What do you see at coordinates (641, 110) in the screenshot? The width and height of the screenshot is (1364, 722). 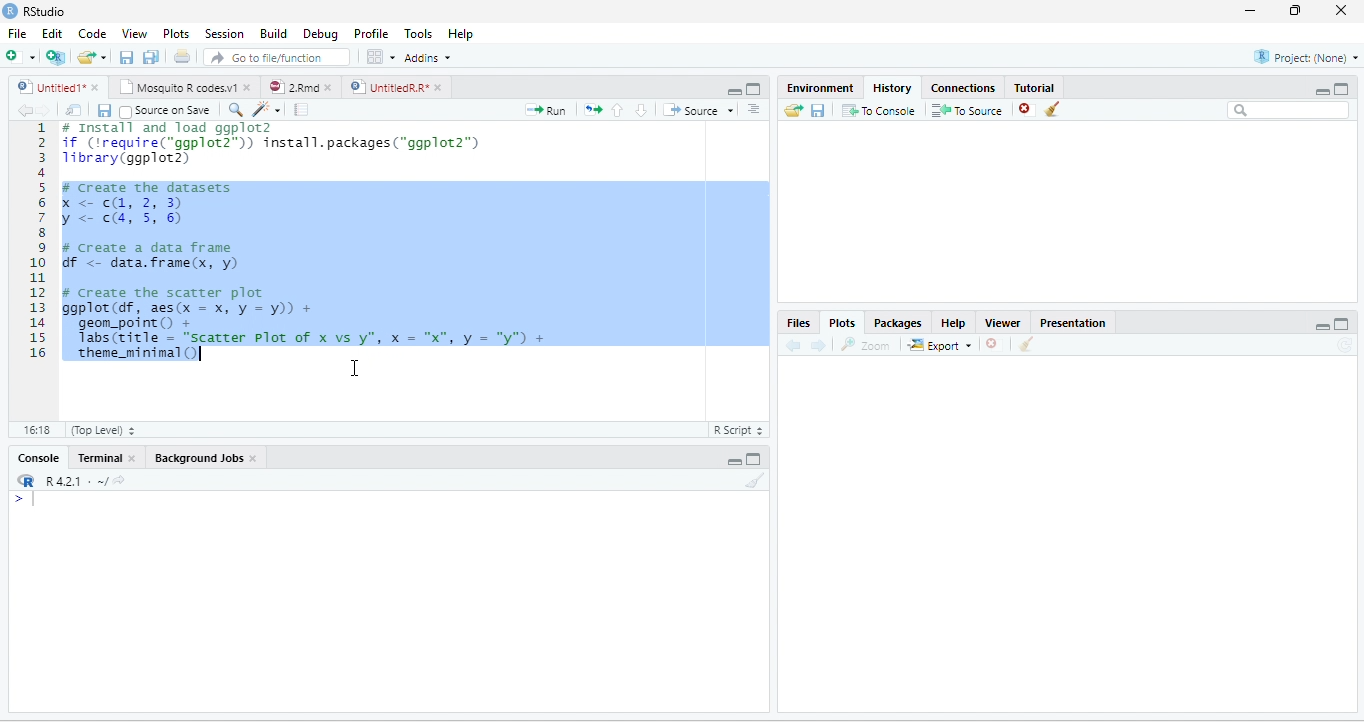 I see `Go to next section/chunk` at bounding box center [641, 110].